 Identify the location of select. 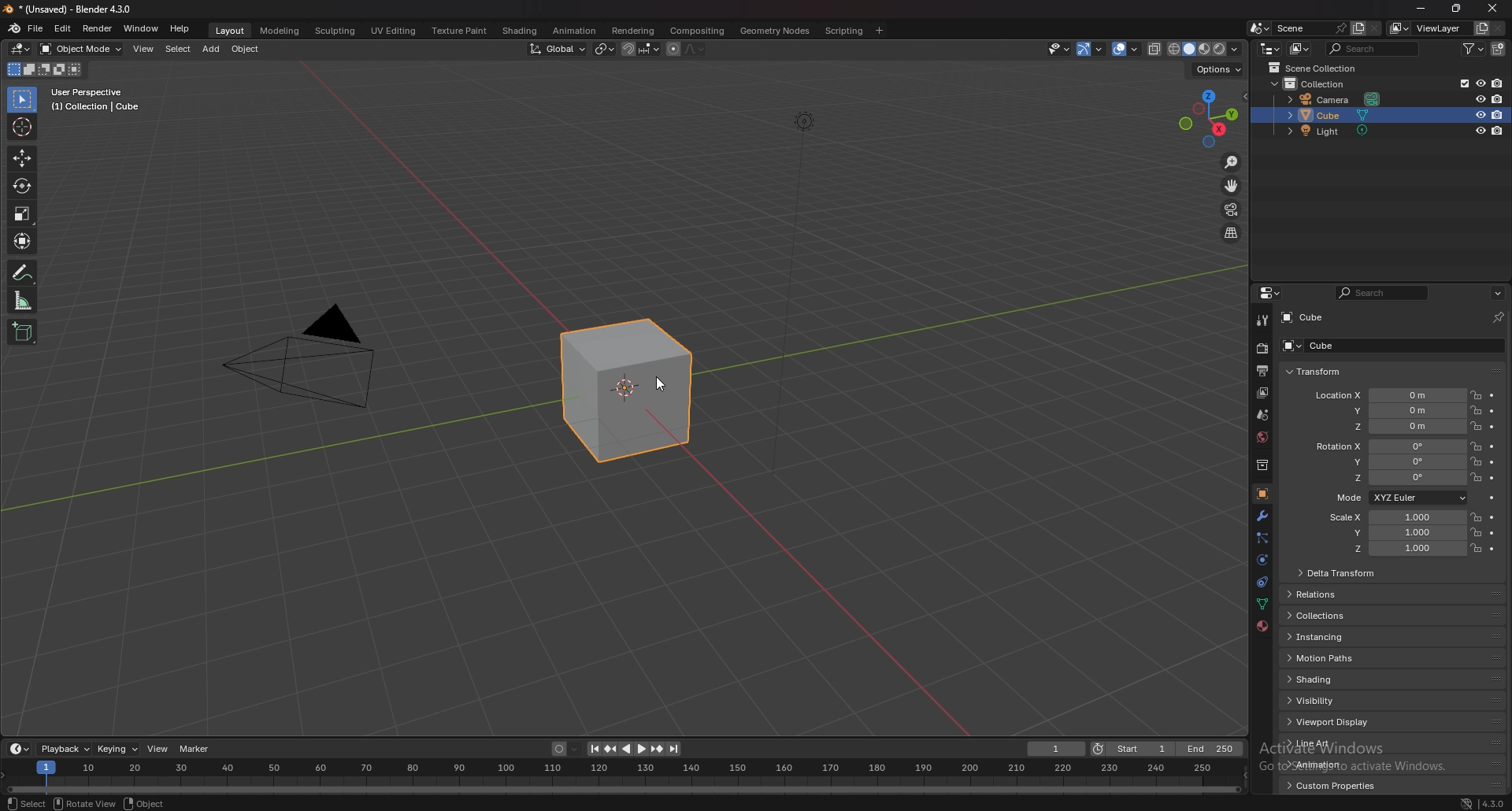
(23, 99).